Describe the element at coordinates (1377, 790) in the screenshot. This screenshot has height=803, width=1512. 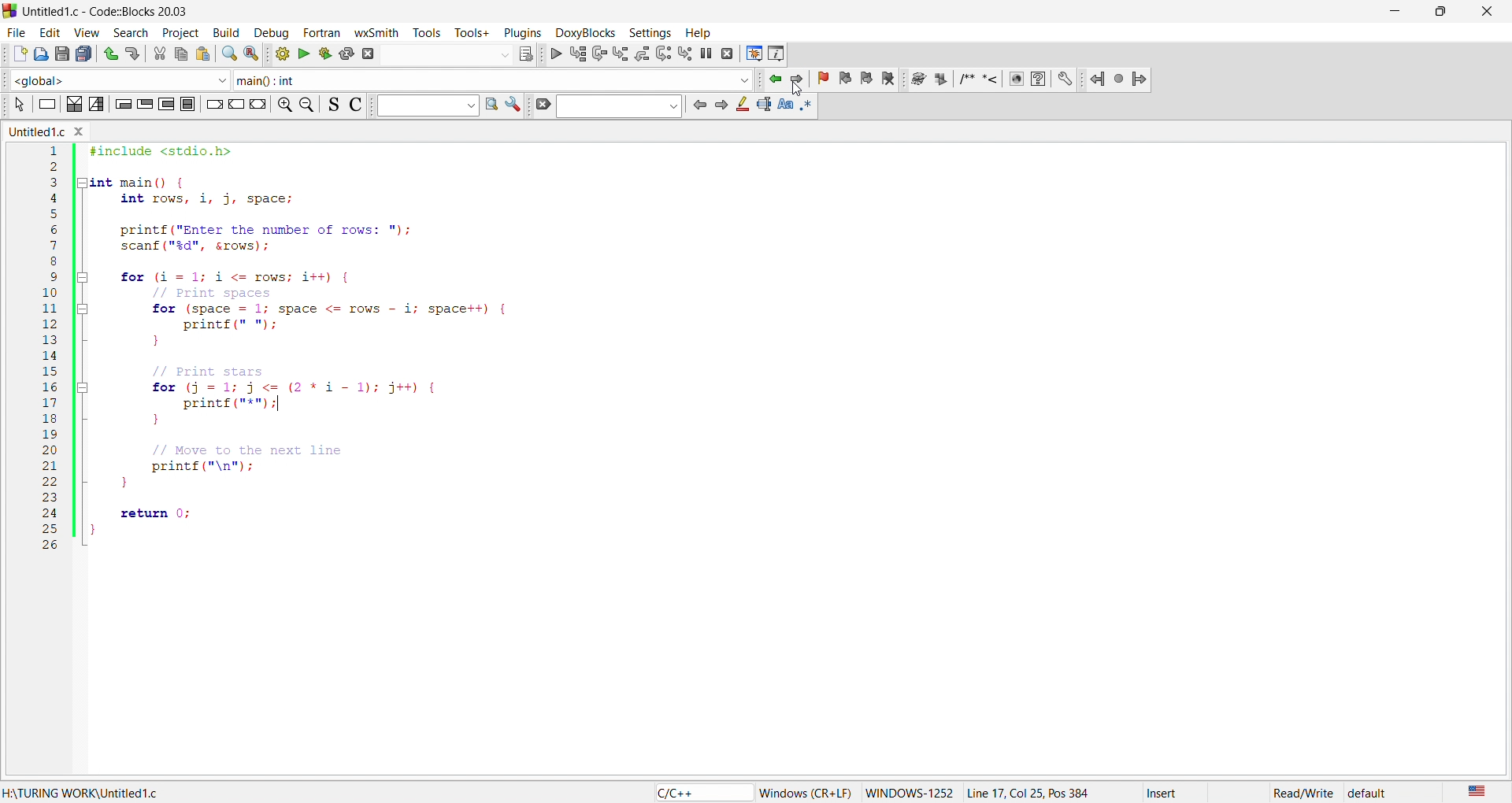
I see `default` at that location.